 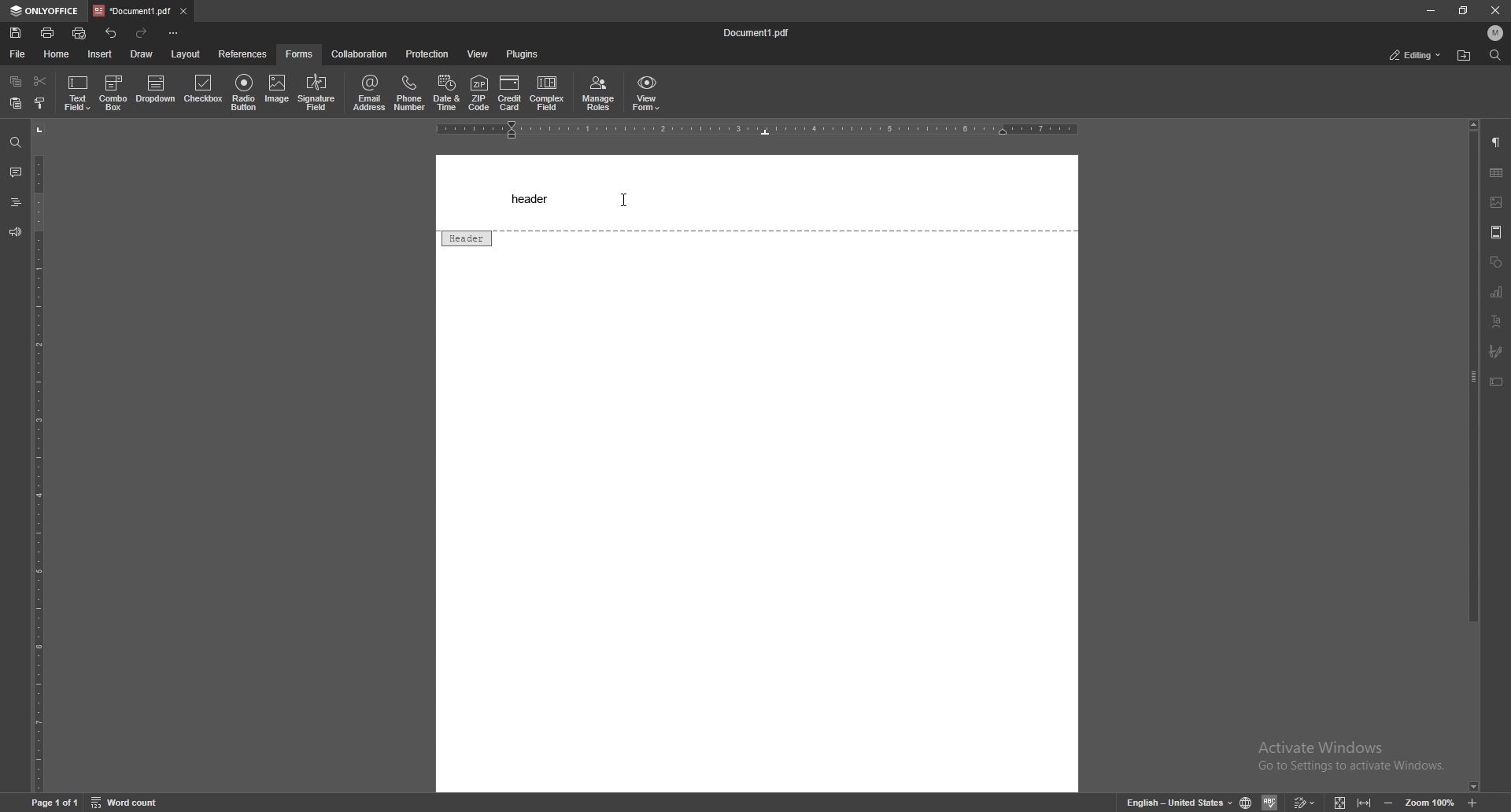 I want to click on f, so click(x=300, y=54).